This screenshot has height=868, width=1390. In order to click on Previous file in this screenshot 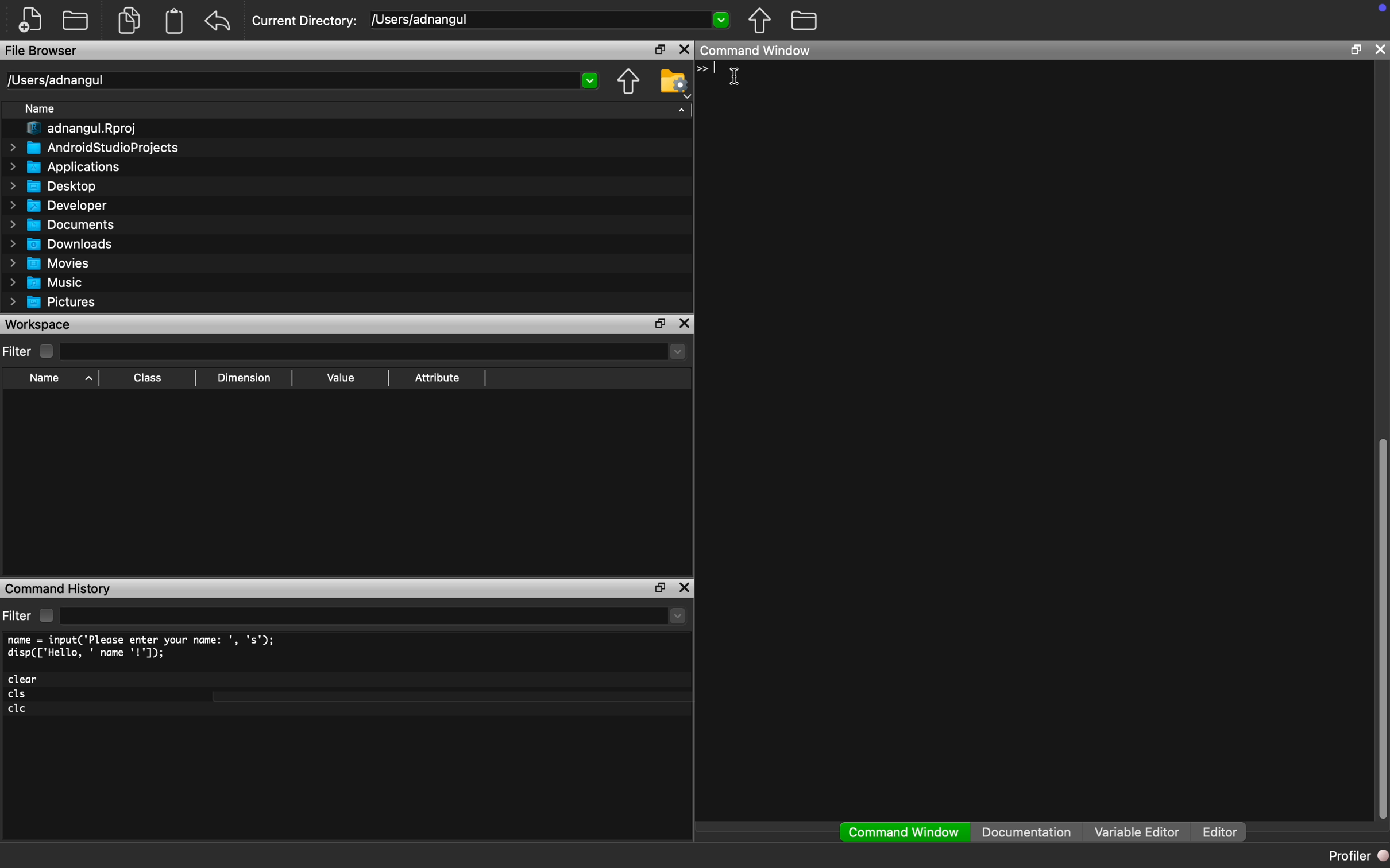, I will do `click(628, 82)`.